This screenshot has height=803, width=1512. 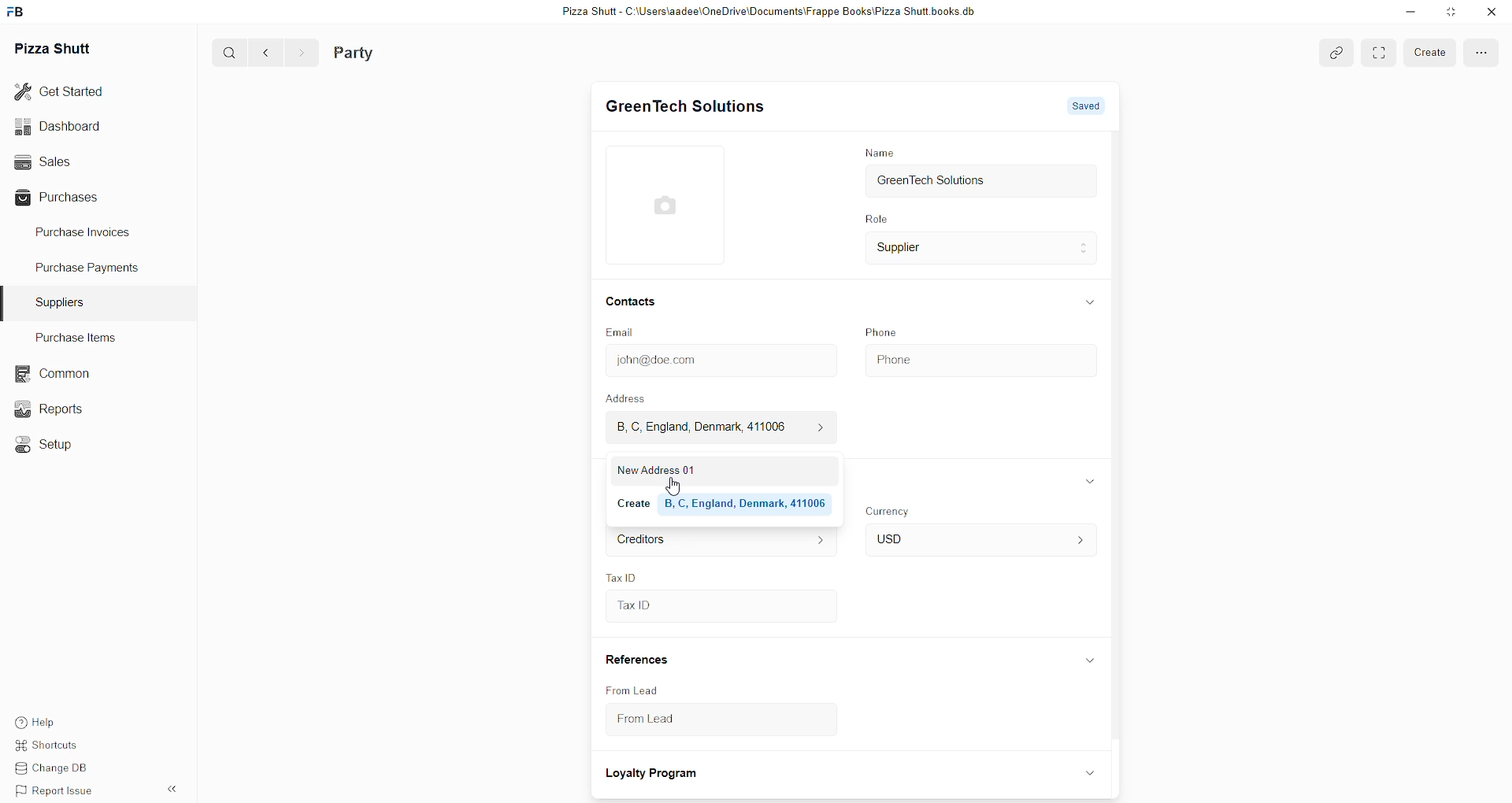 I want to click on Role, so click(x=875, y=220).